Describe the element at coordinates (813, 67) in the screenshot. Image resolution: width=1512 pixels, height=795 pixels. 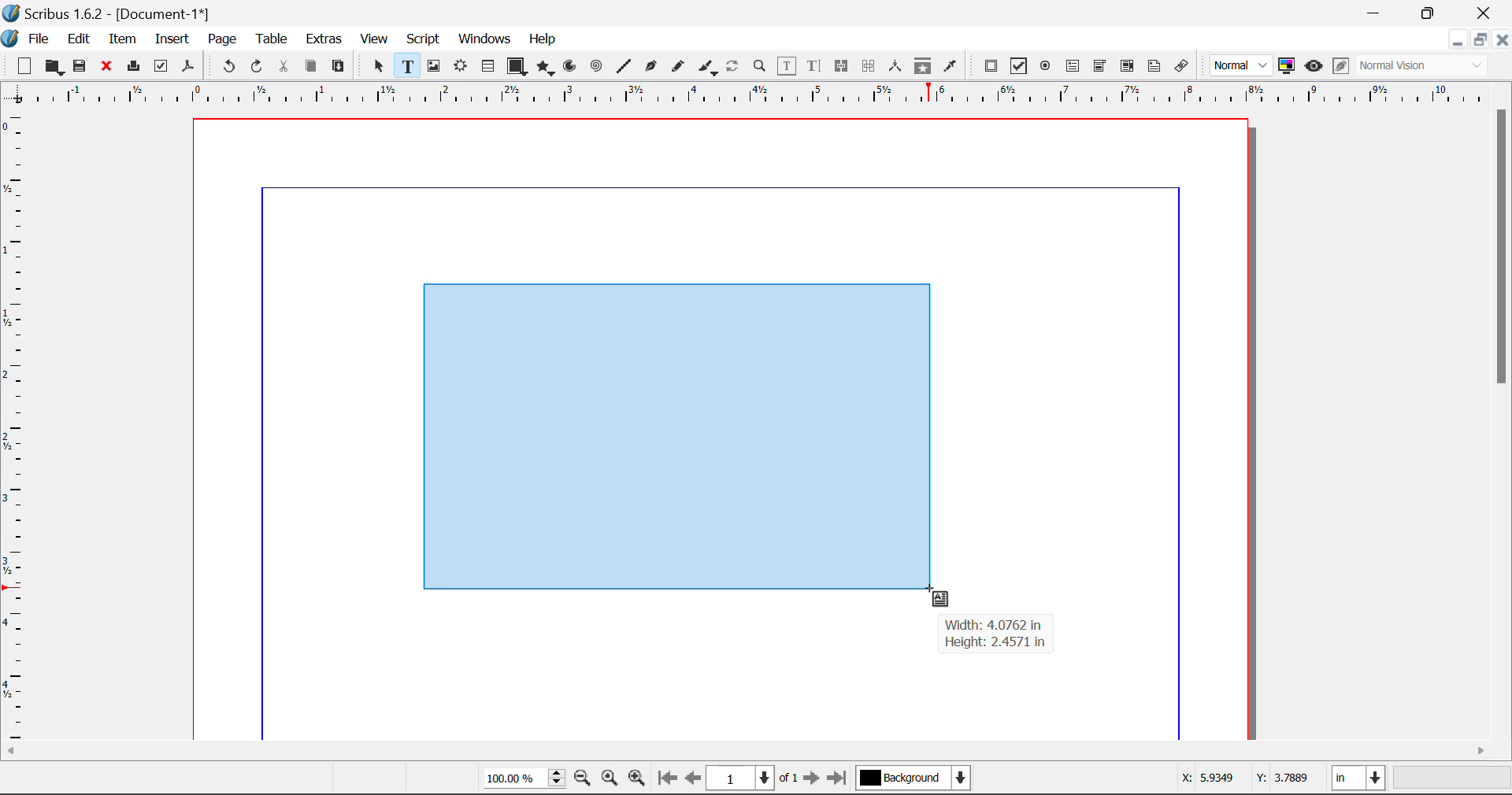
I see `Edit Text With Story Editor` at that location.